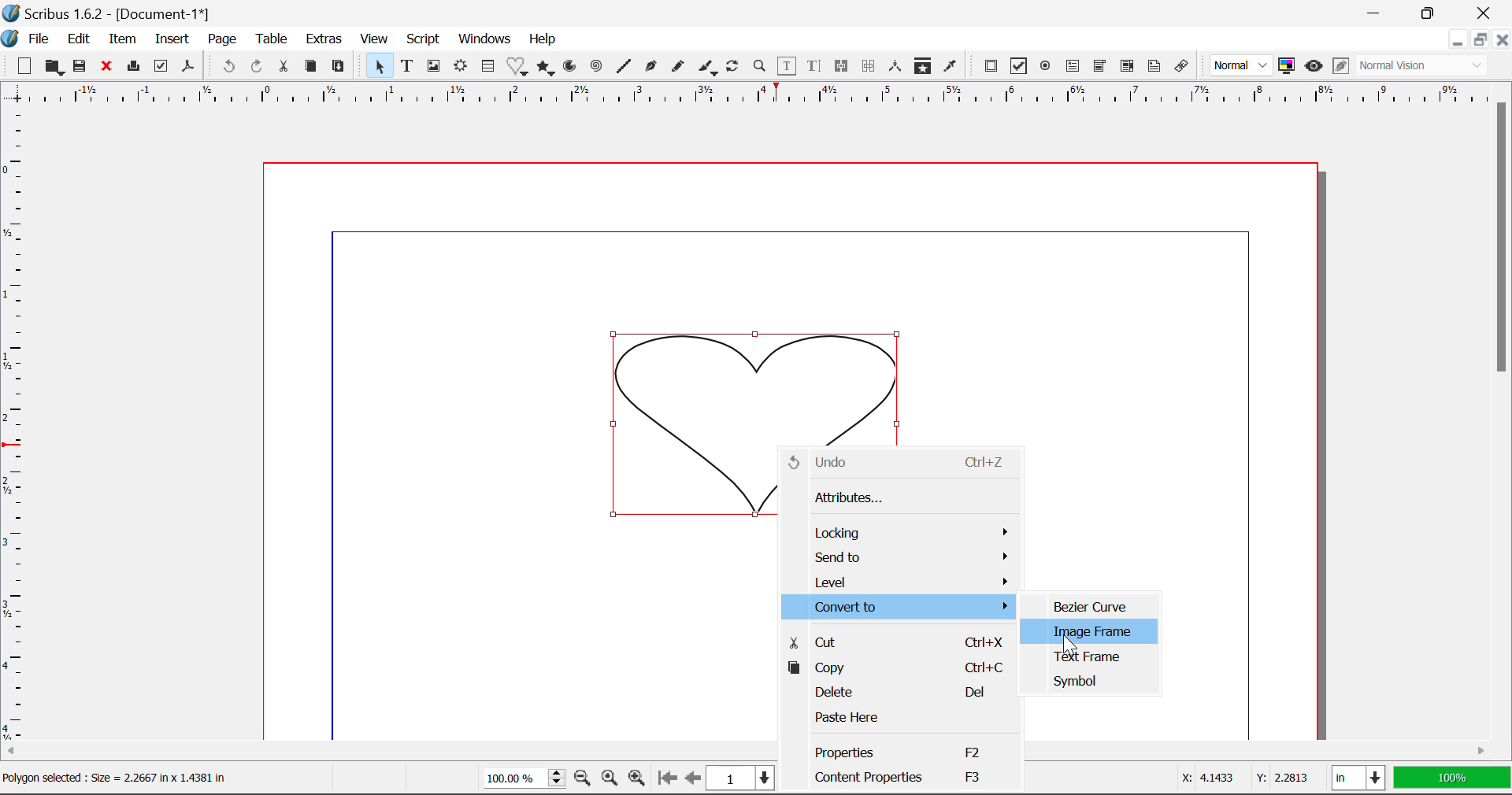  Describe the element at coordinates (9, 39) in the screenshot. I see `Scribus Logo` at that location.